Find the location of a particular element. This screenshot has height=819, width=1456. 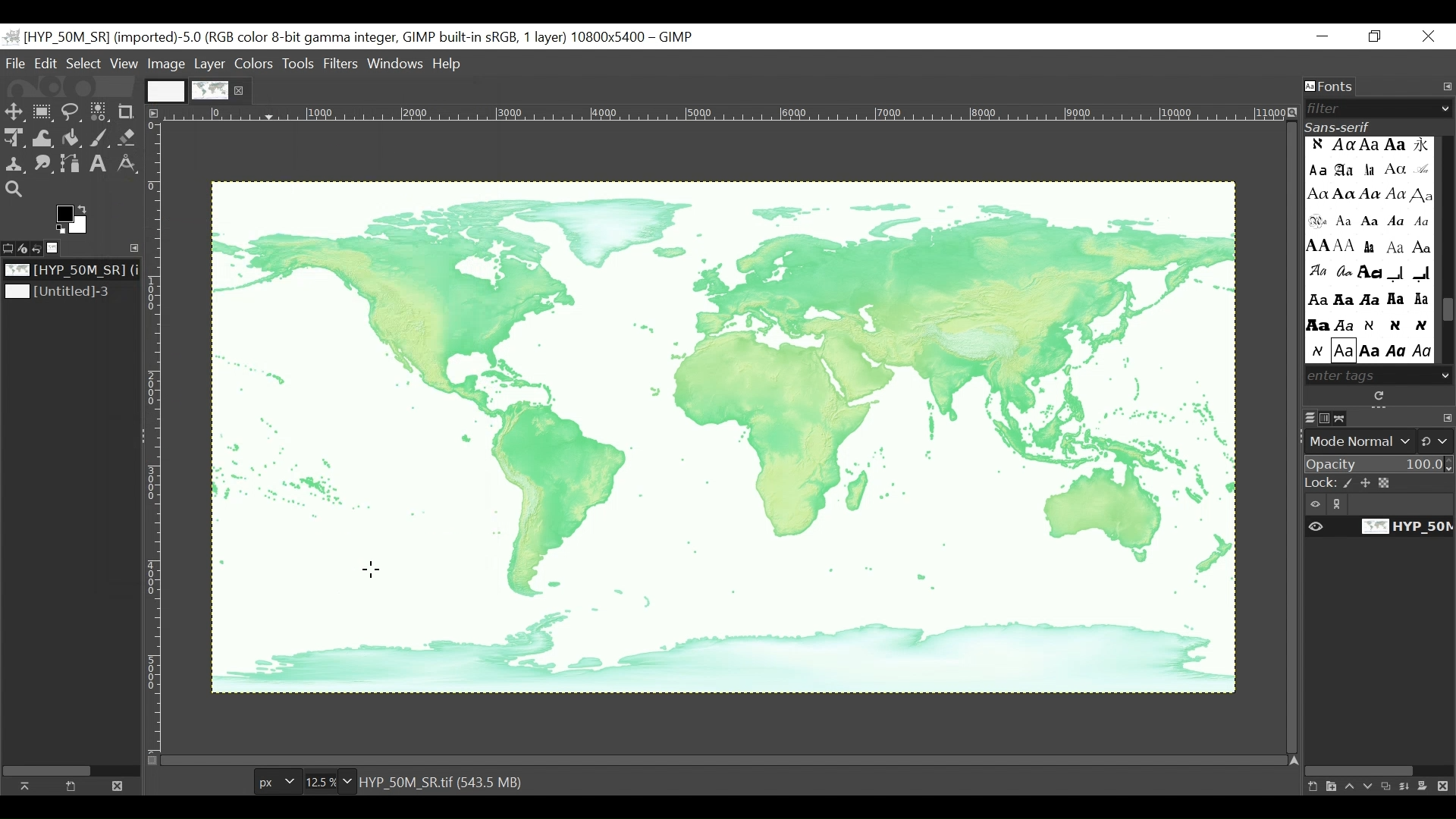

Paintbrush Tool is located at coordinates (101, 140).